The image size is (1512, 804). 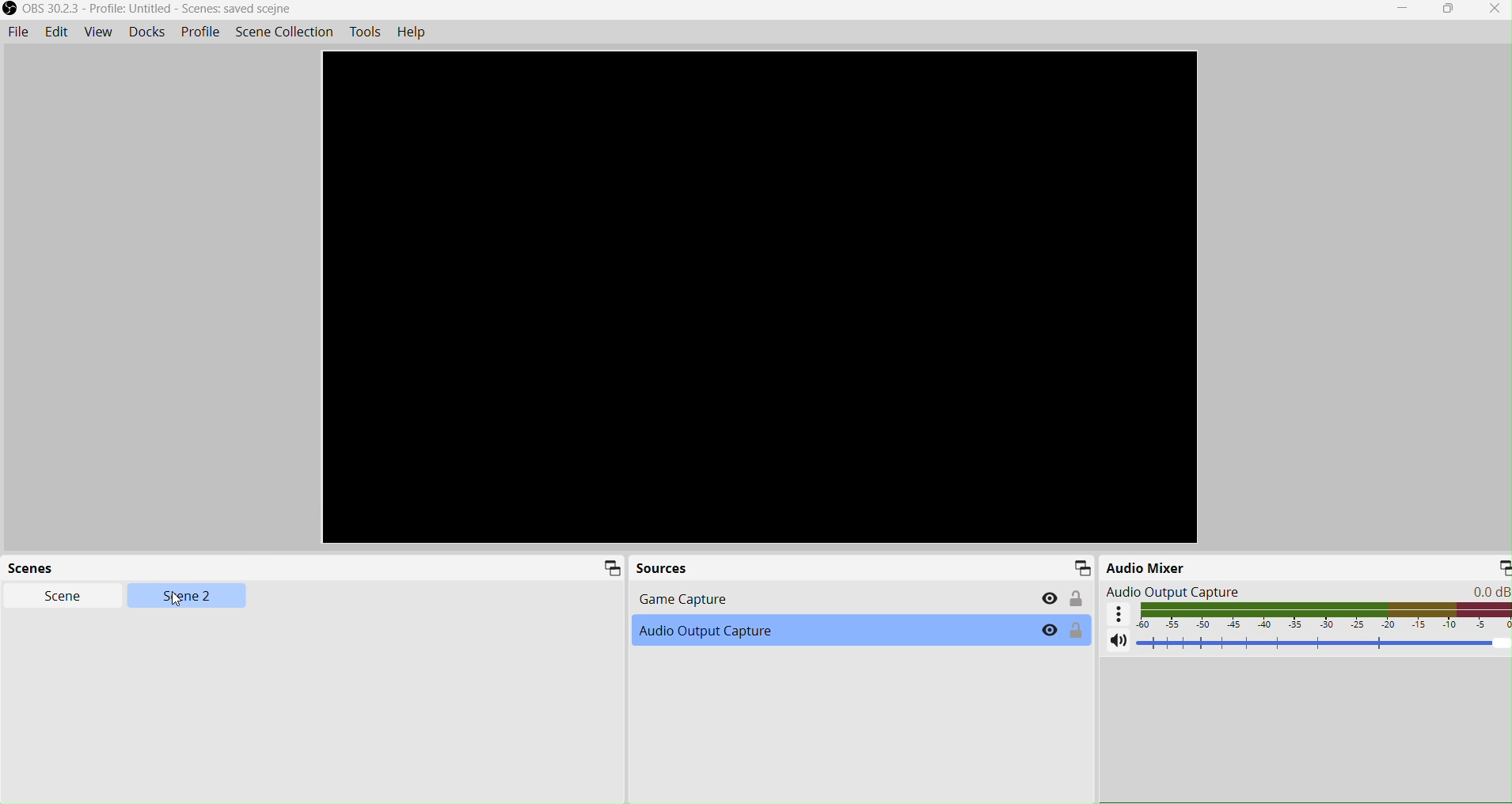 I want to click on Restore down, so click(x=1449, y=12).